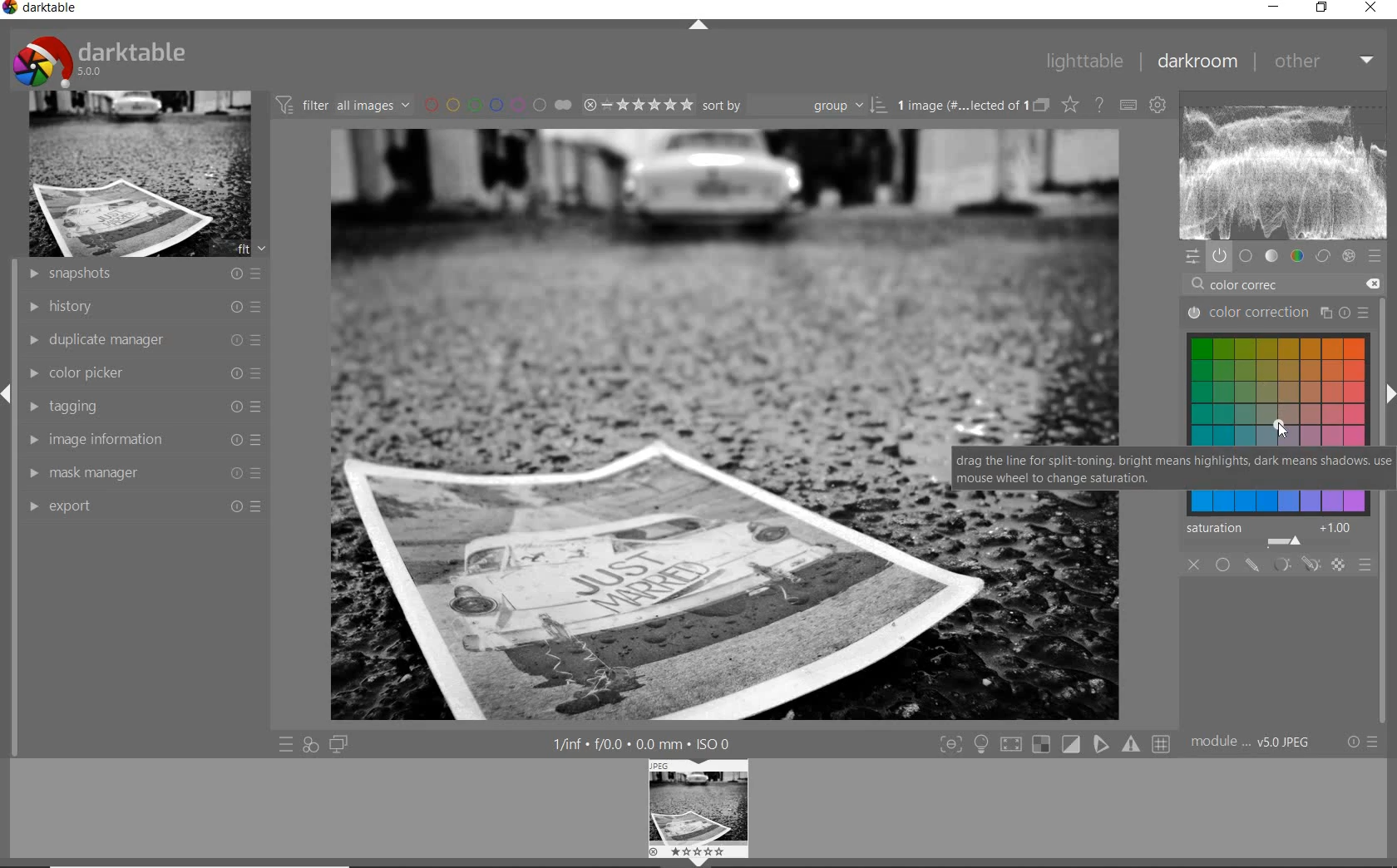 Image resolution: width=1397 pixels, height=868 pixels. I want to click on tone, so click(1271, 256).